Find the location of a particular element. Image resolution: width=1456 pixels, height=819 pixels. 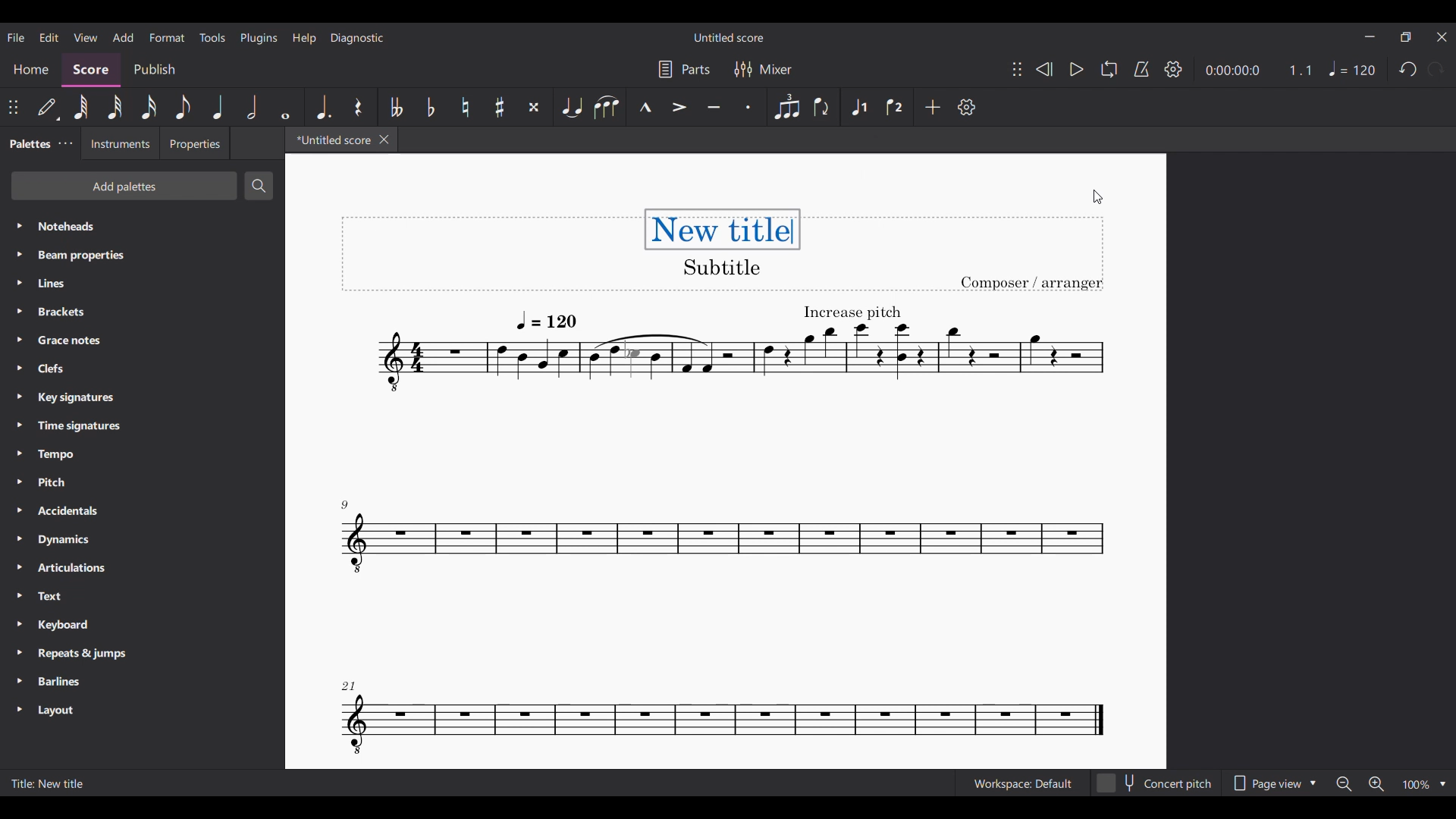

Clefs is located at coordinates (141, 369).